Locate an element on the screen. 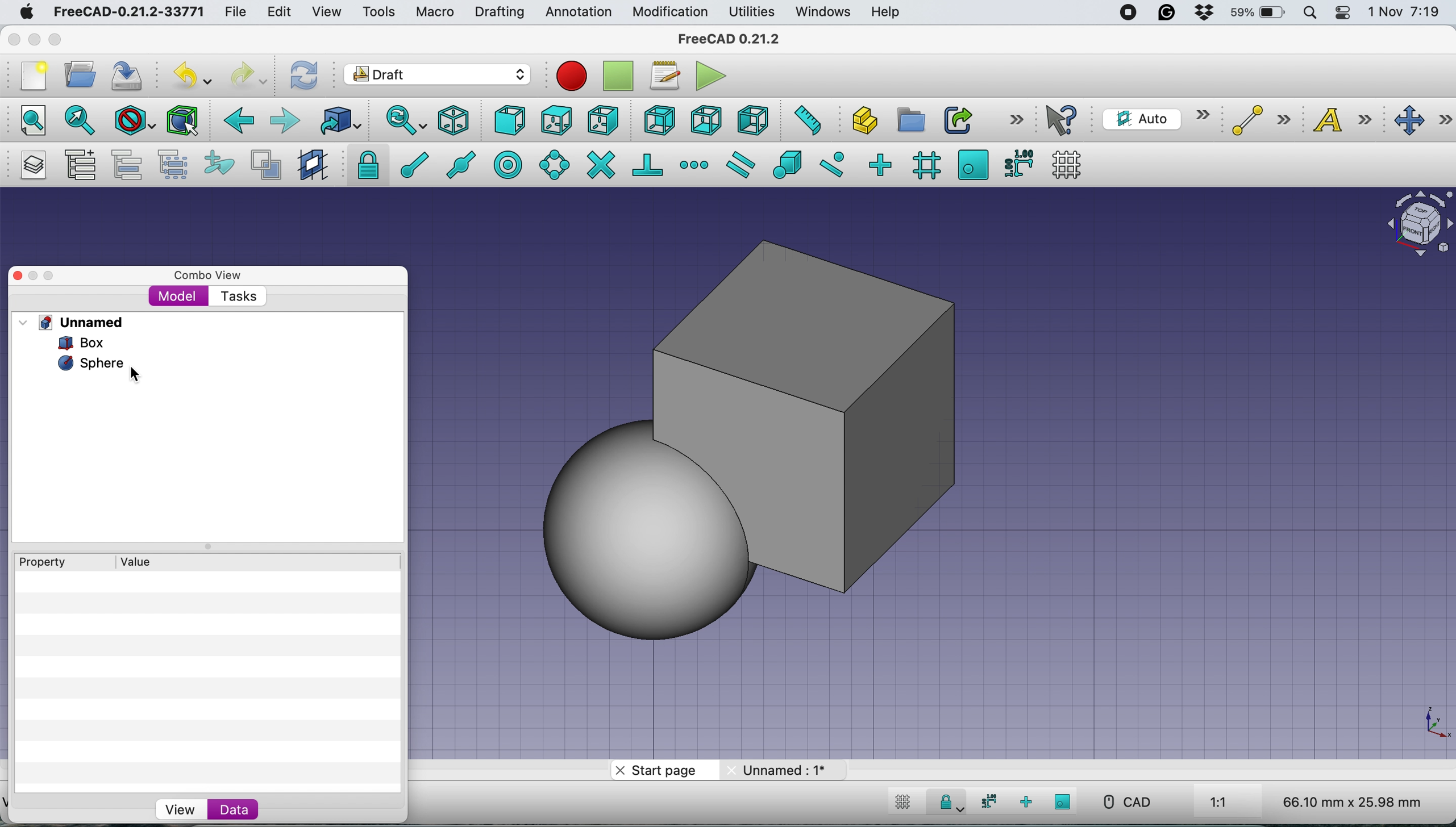  snap near is located at coordinates (832, 163).